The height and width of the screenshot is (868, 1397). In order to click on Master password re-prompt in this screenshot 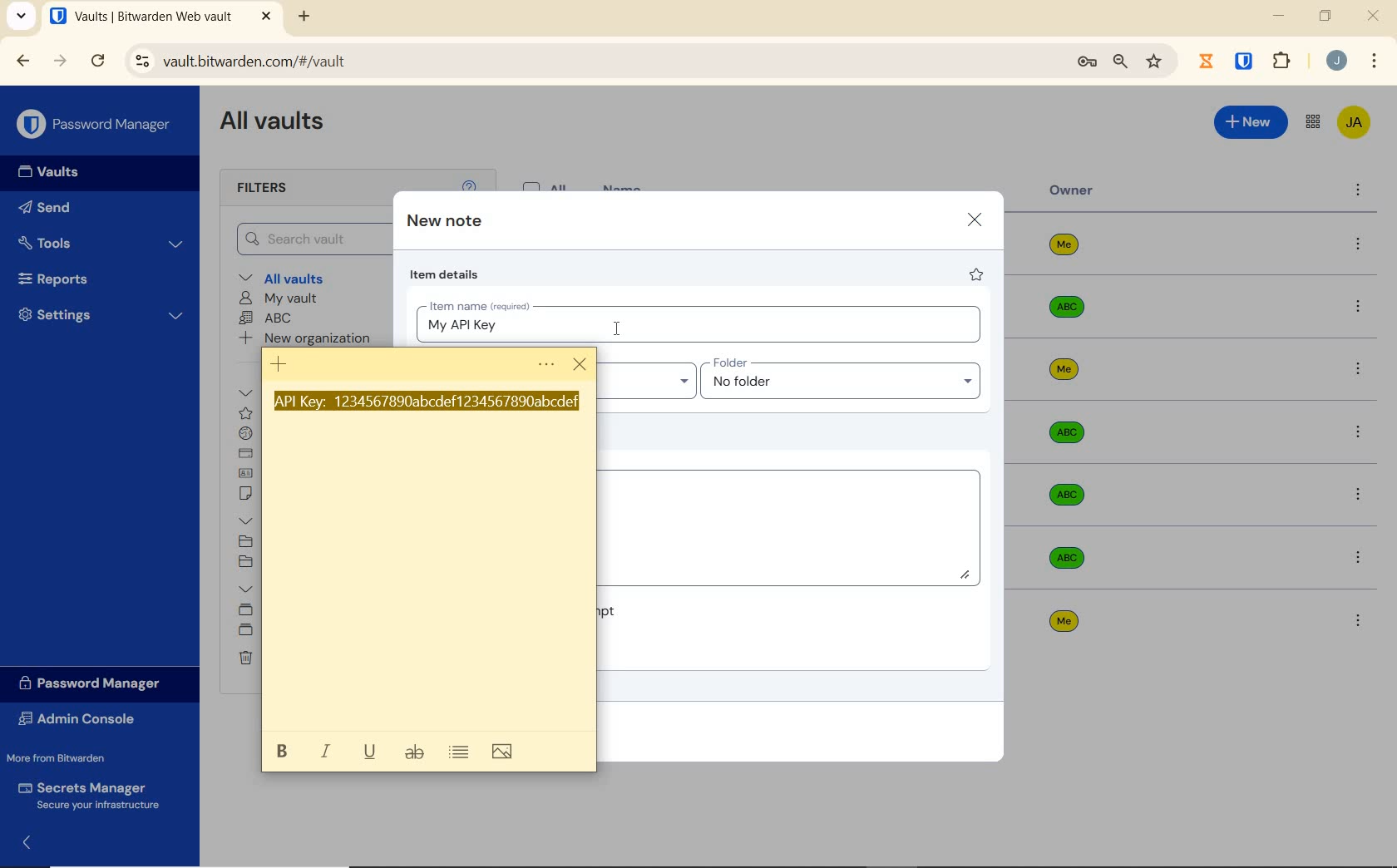, I will do `click(607, 610)`.